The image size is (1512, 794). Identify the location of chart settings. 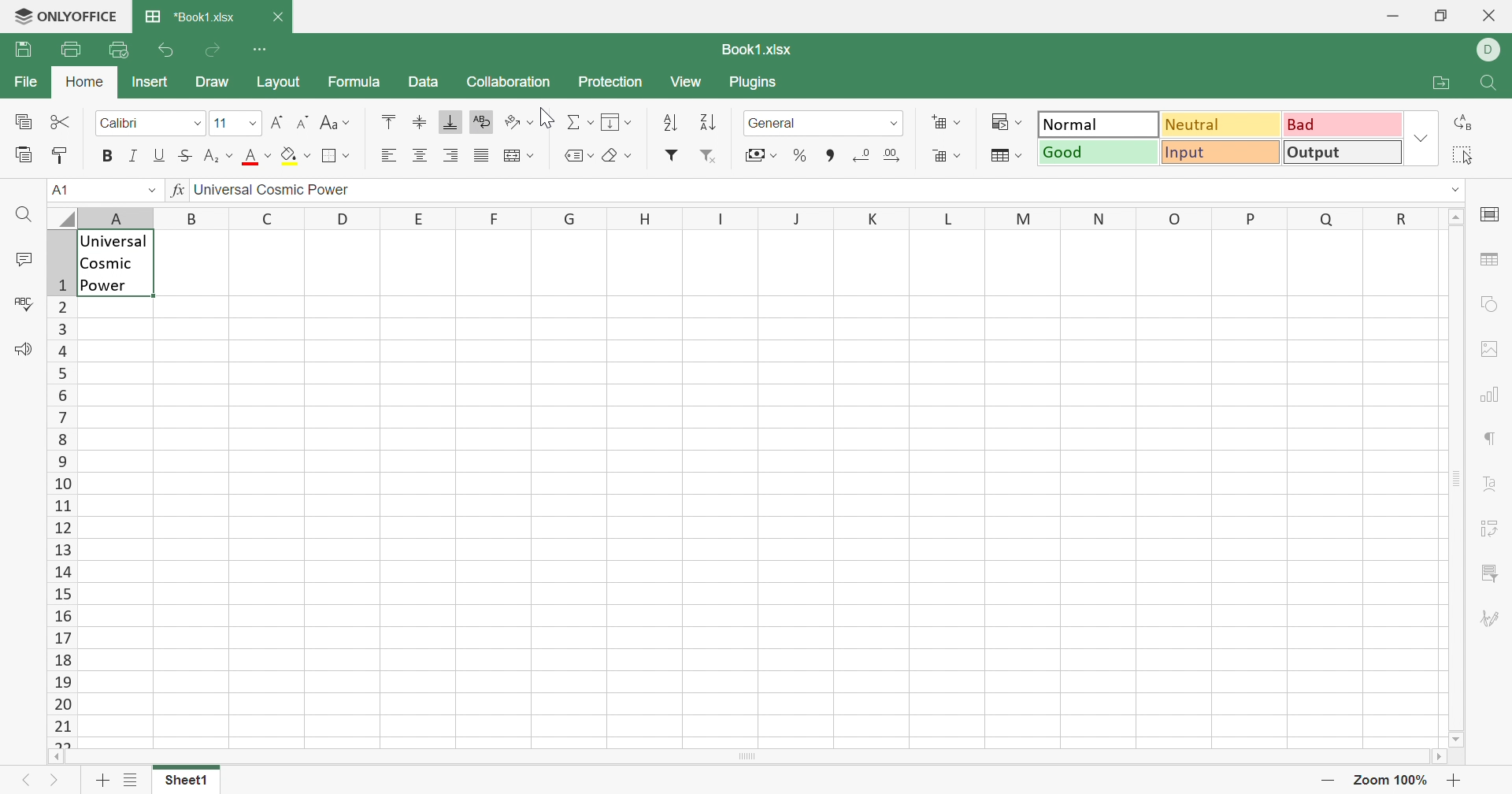
(1490, 395).